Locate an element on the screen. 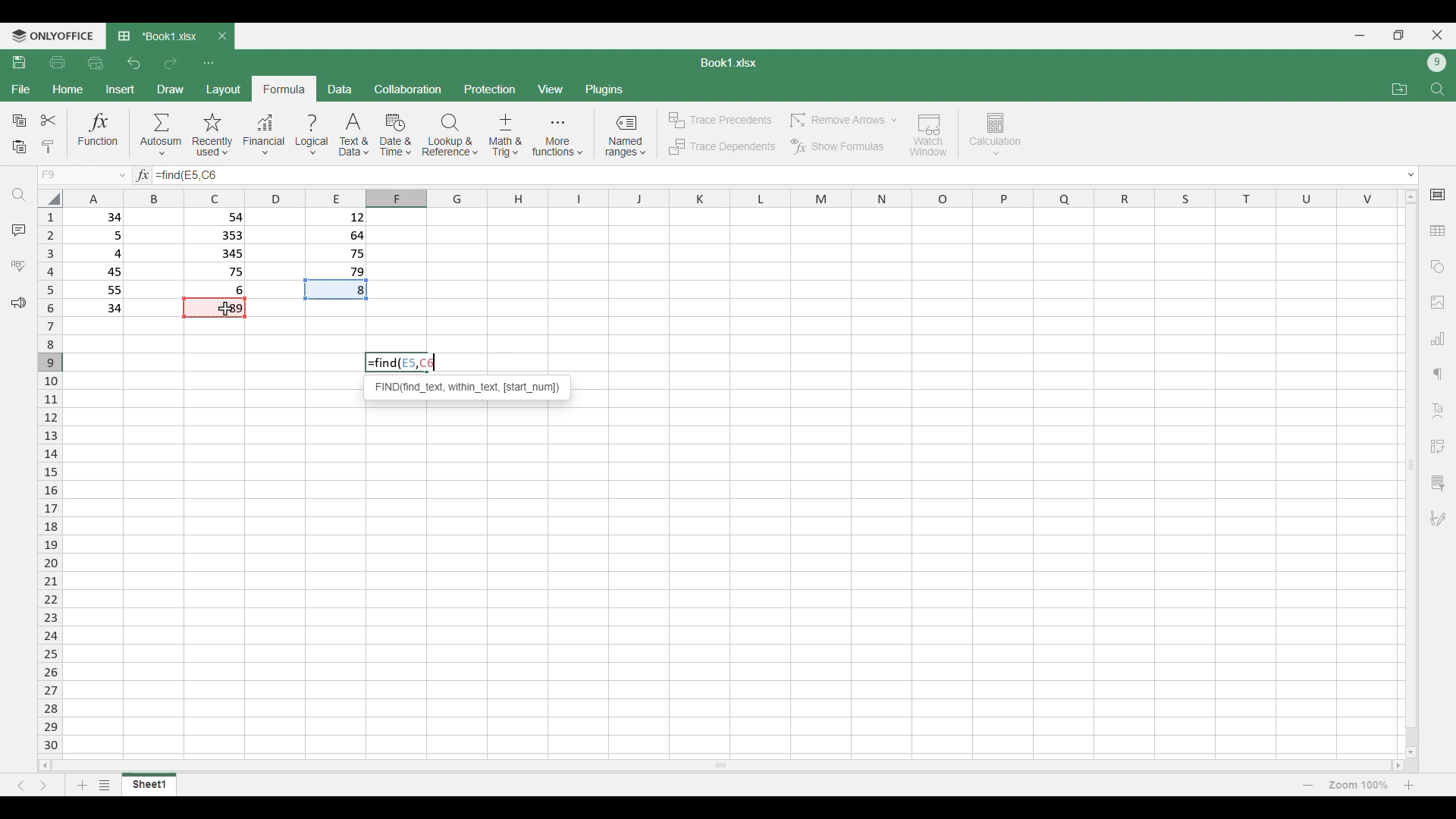  Minimize is located at coordinates (1360, 36).